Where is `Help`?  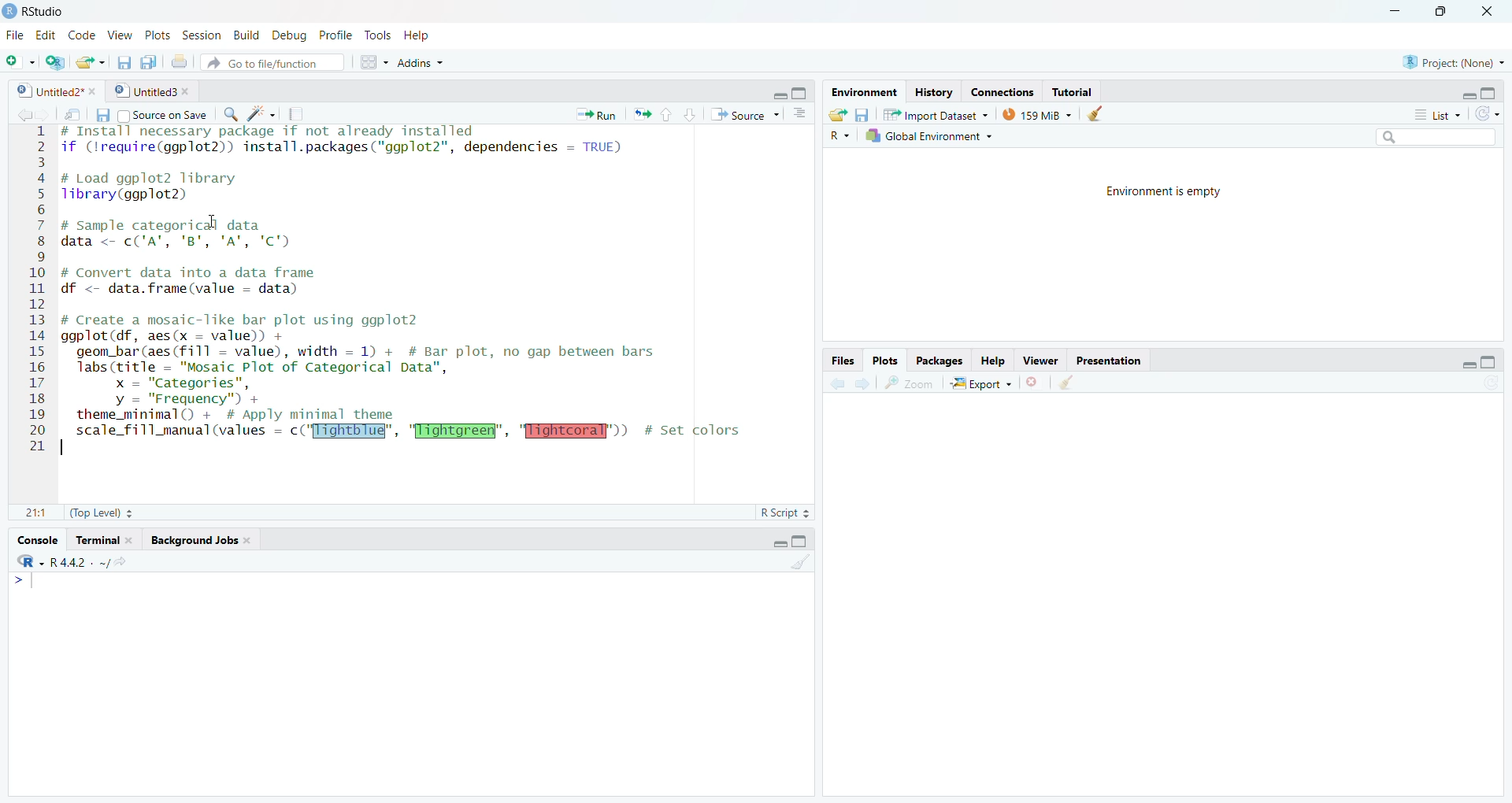
Help is located at coordinates (418, 35).